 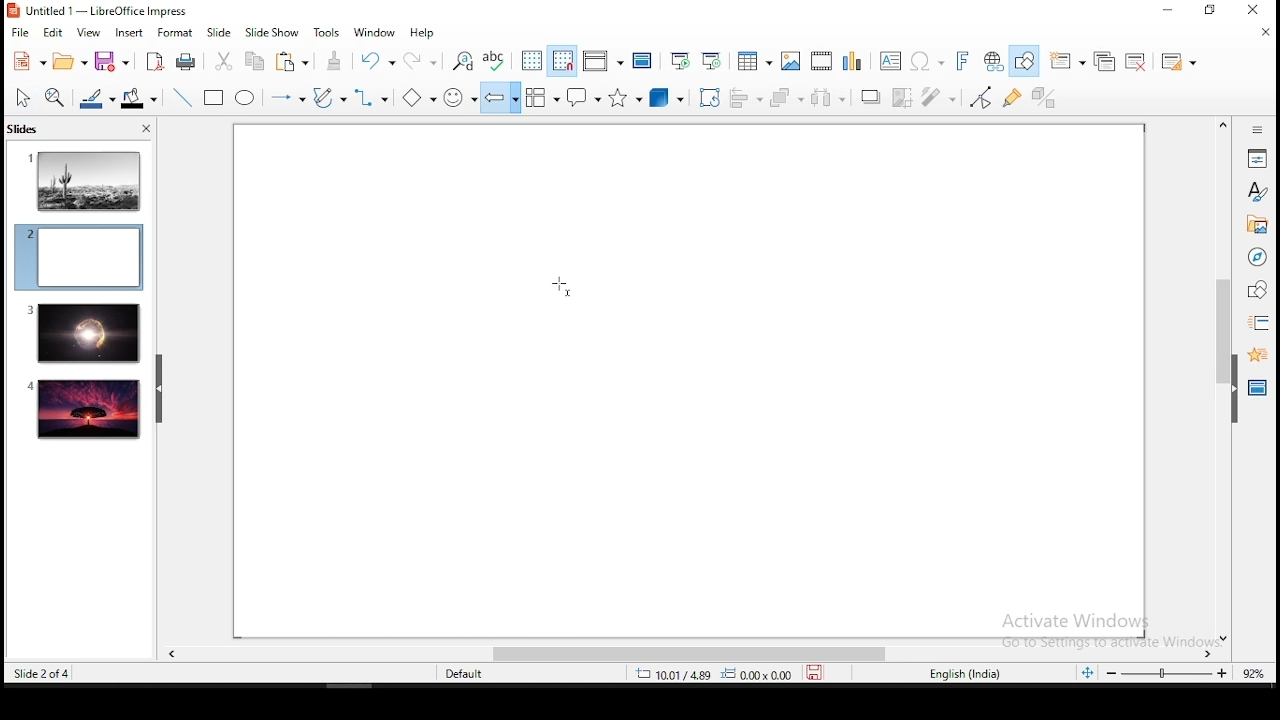 What do you see at coordinates (215, 99) in the screenshot?
I see `rectangle` at bounding box center [215, 99].